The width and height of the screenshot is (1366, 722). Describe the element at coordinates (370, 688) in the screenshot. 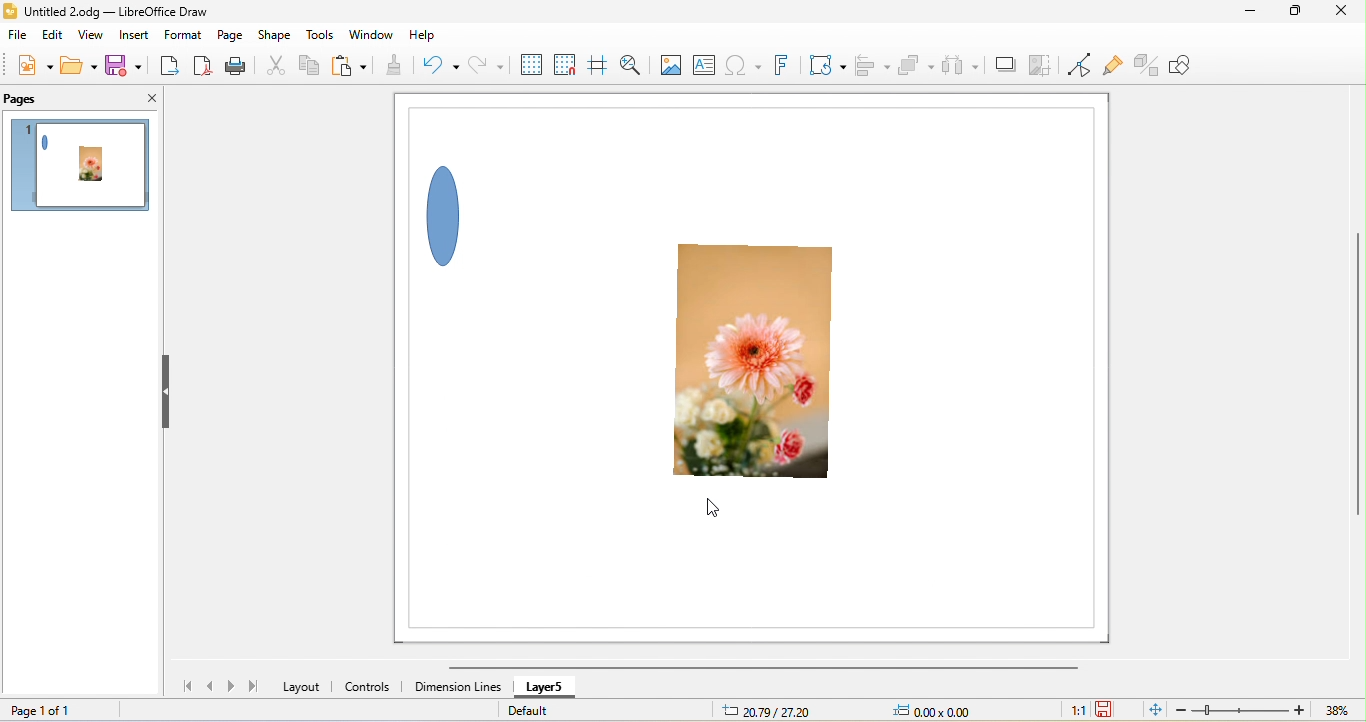

I see `controls` at that location.